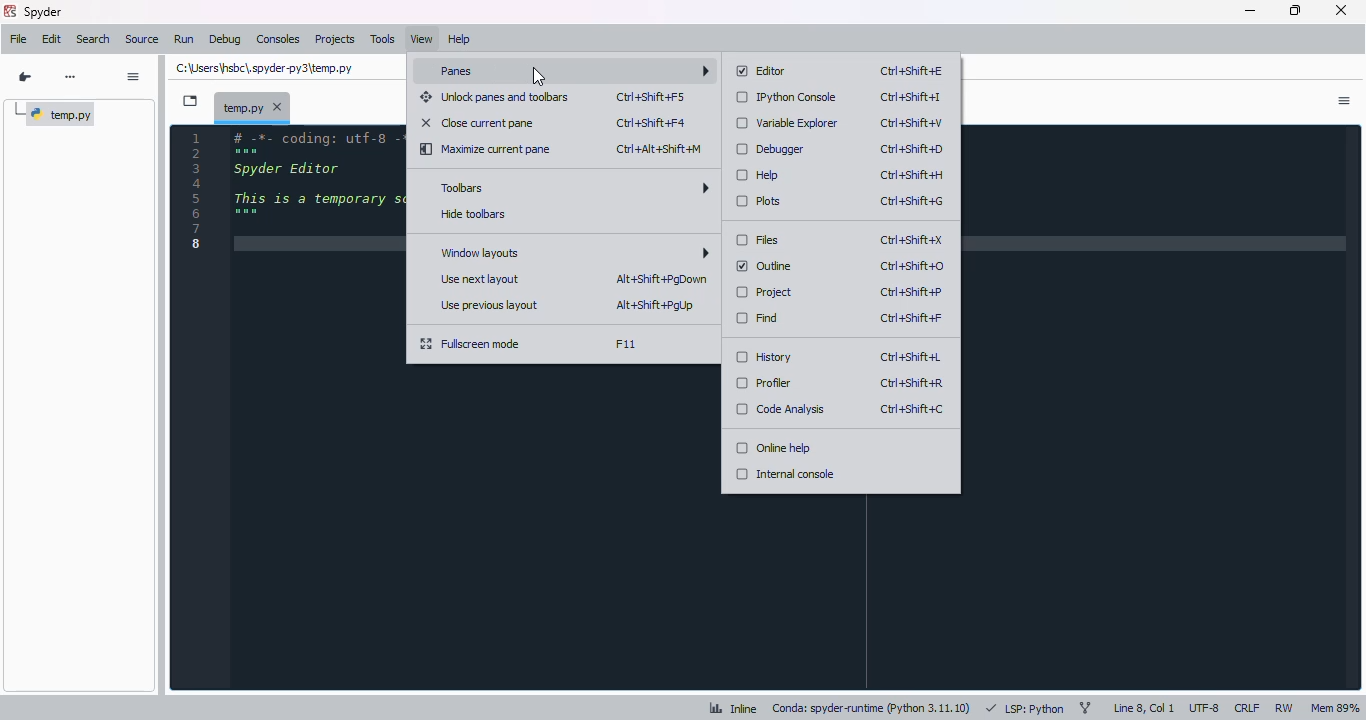 This screenshot has height=720, width=1366. Describe the element at coordinates (912, 175) in the screenshot. I see `shortcut for help` at that location.